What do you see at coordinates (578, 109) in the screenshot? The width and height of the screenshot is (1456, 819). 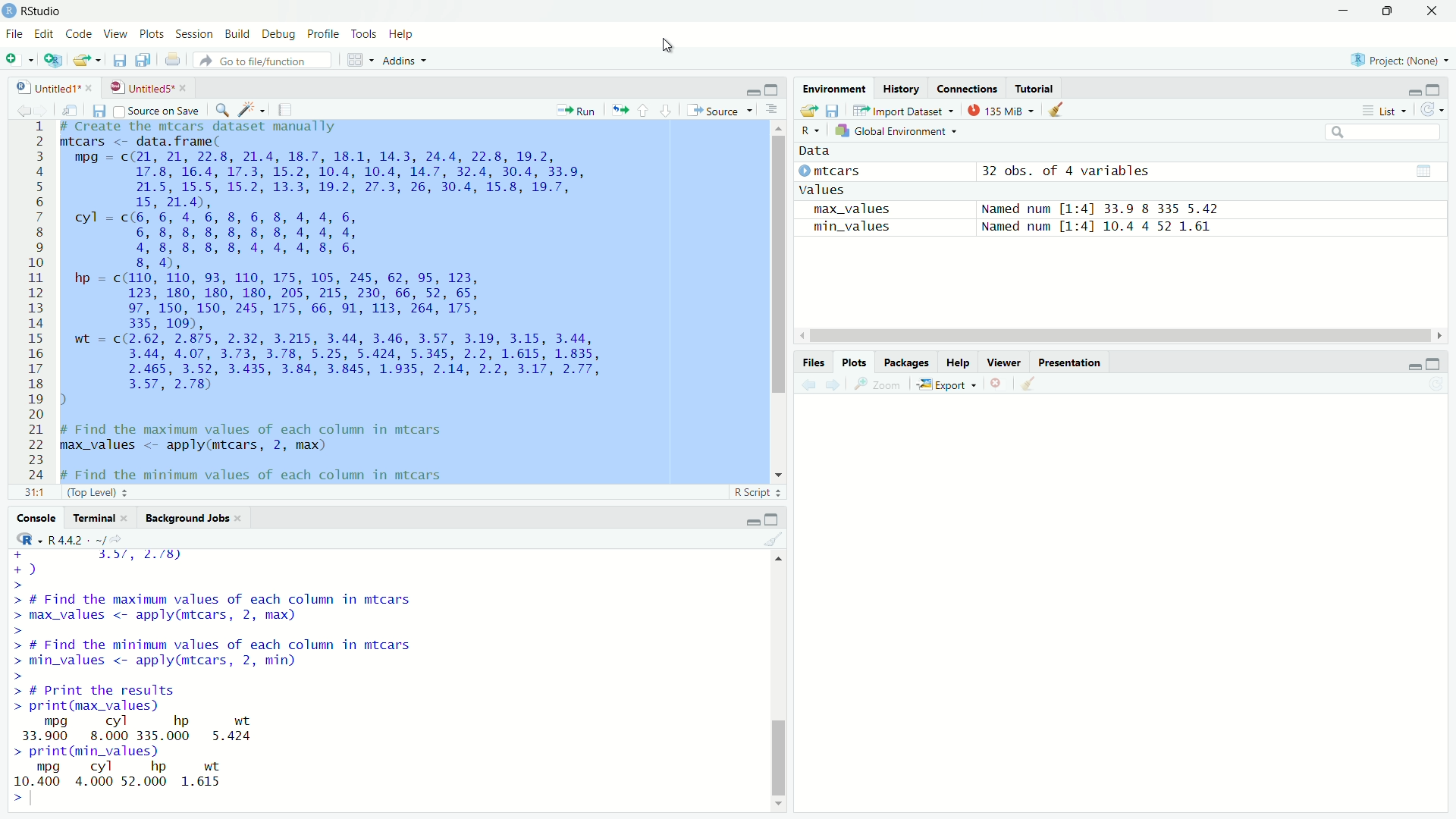 I see `Run` at bounding box center [578, 109].